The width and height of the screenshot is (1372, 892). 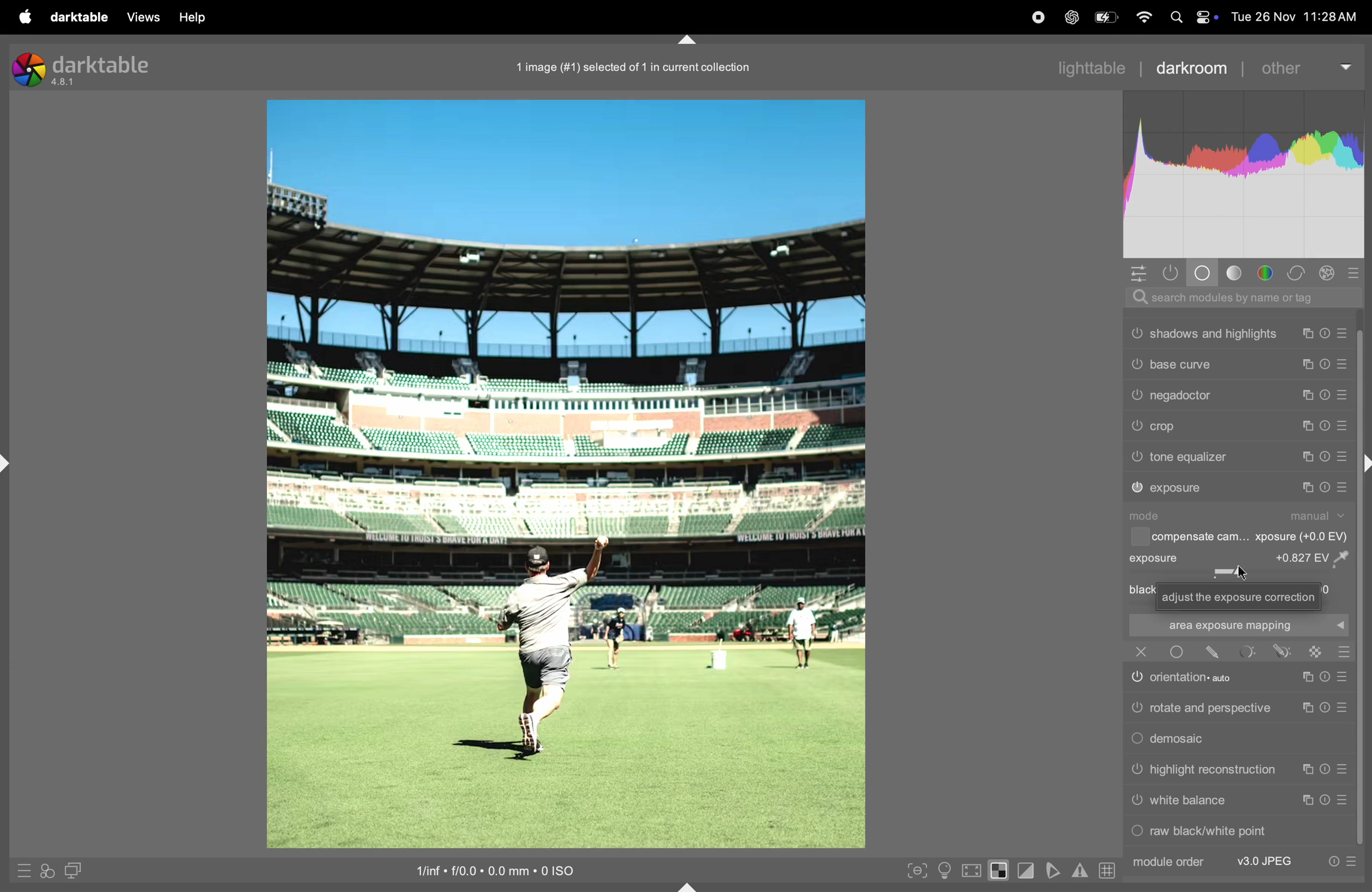 What do you see at coordinates (1136, 740) in the screenshot?
I see `Switch on or off` at bounding box center [1136, 740].